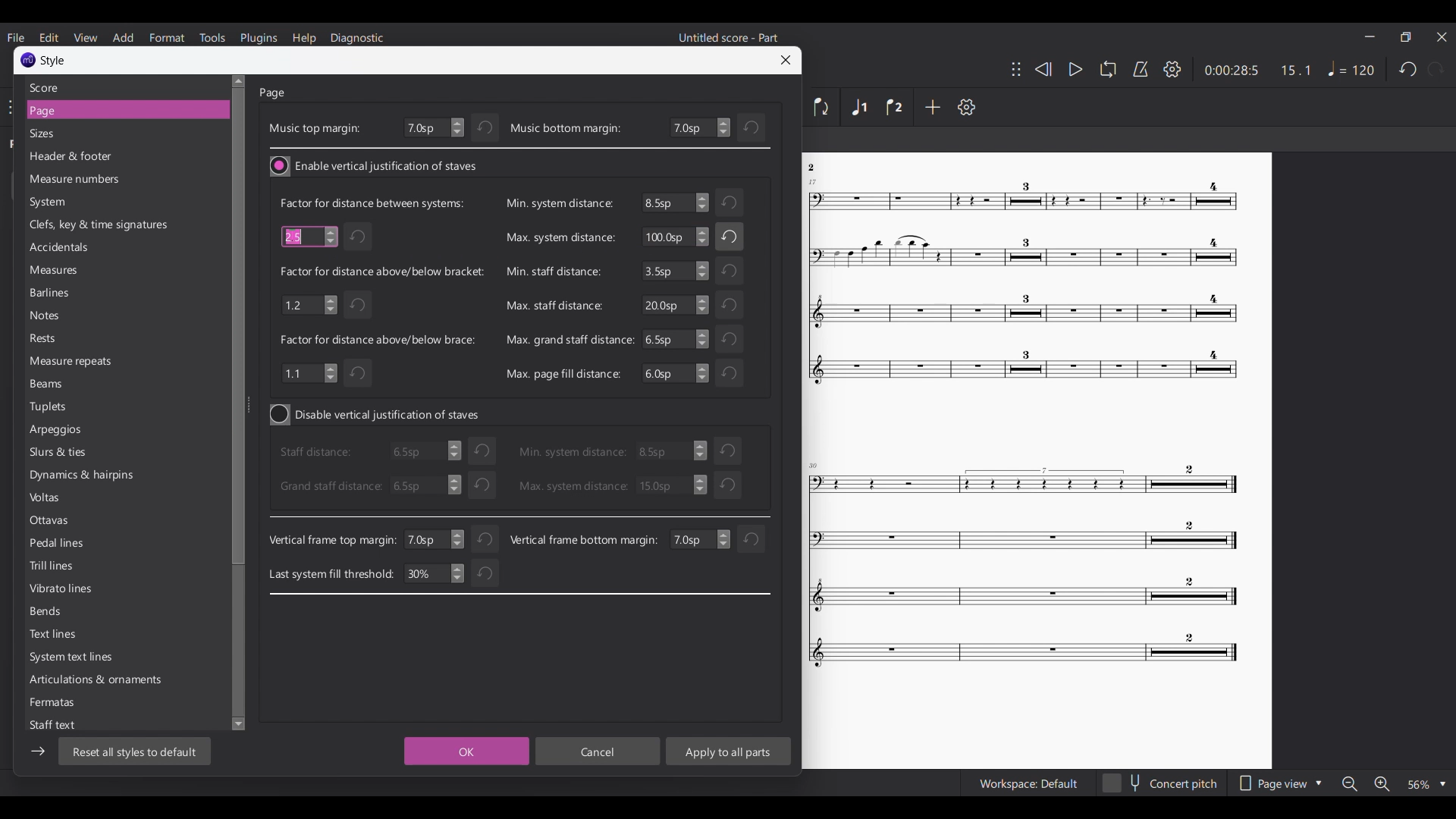  Describe the element at coordinates (319, 453) in the screenshot. I see `staff distance` at that location.